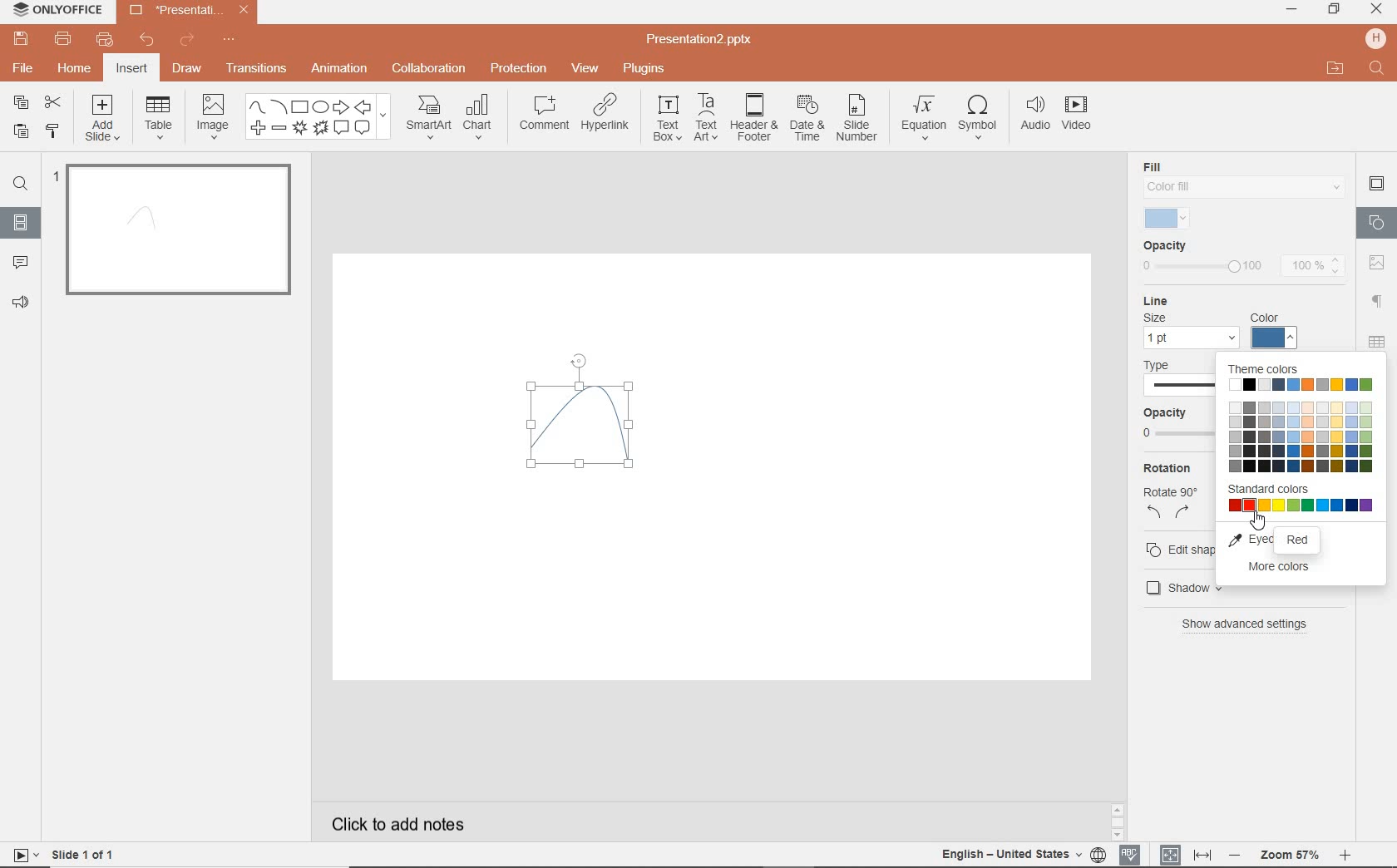 This screenshot has width=1397, height=868. I want to click on cursor, so click(1256, 523).